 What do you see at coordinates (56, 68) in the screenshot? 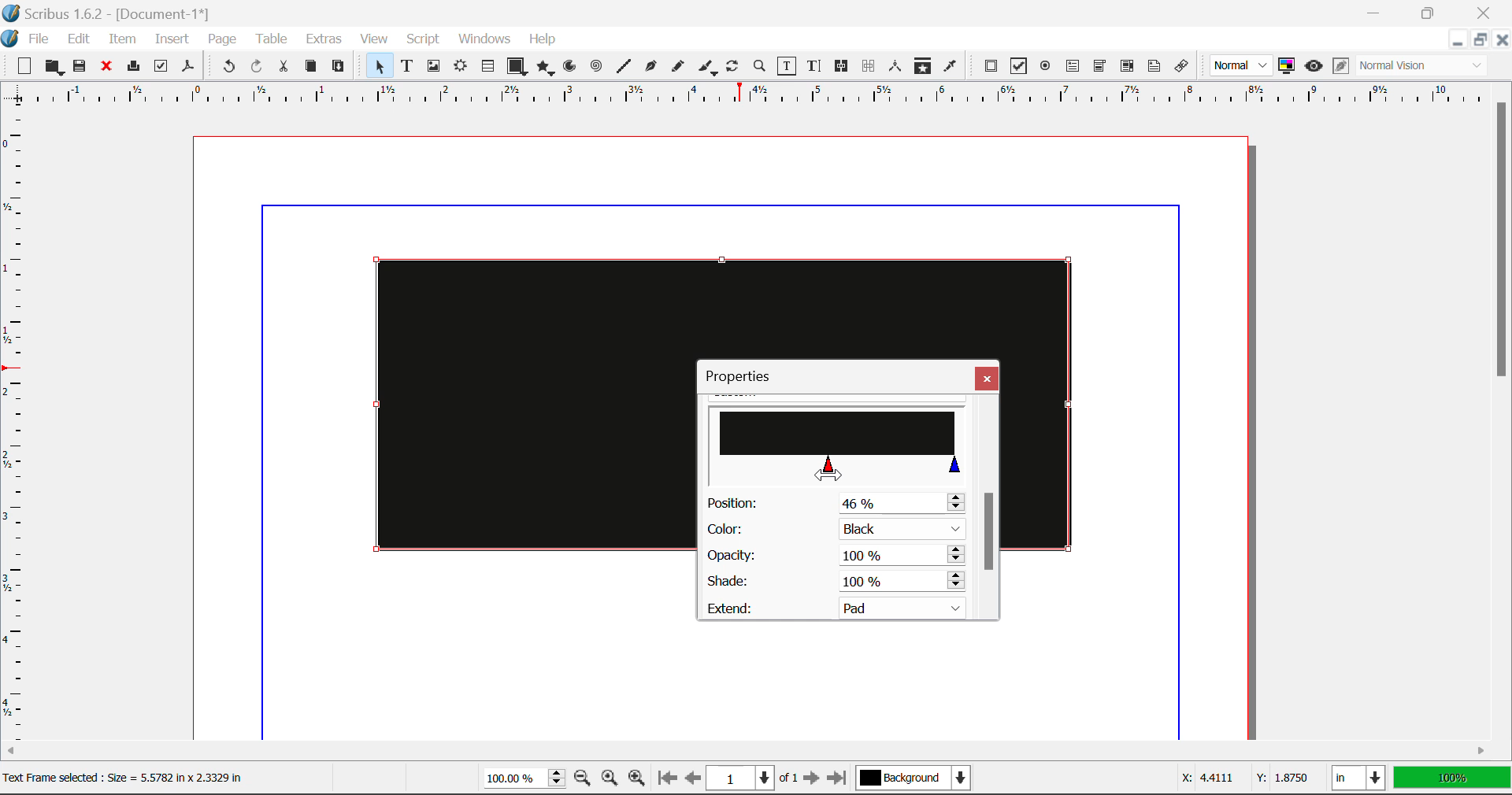
I see `Open` at bounding box center [56, 68].